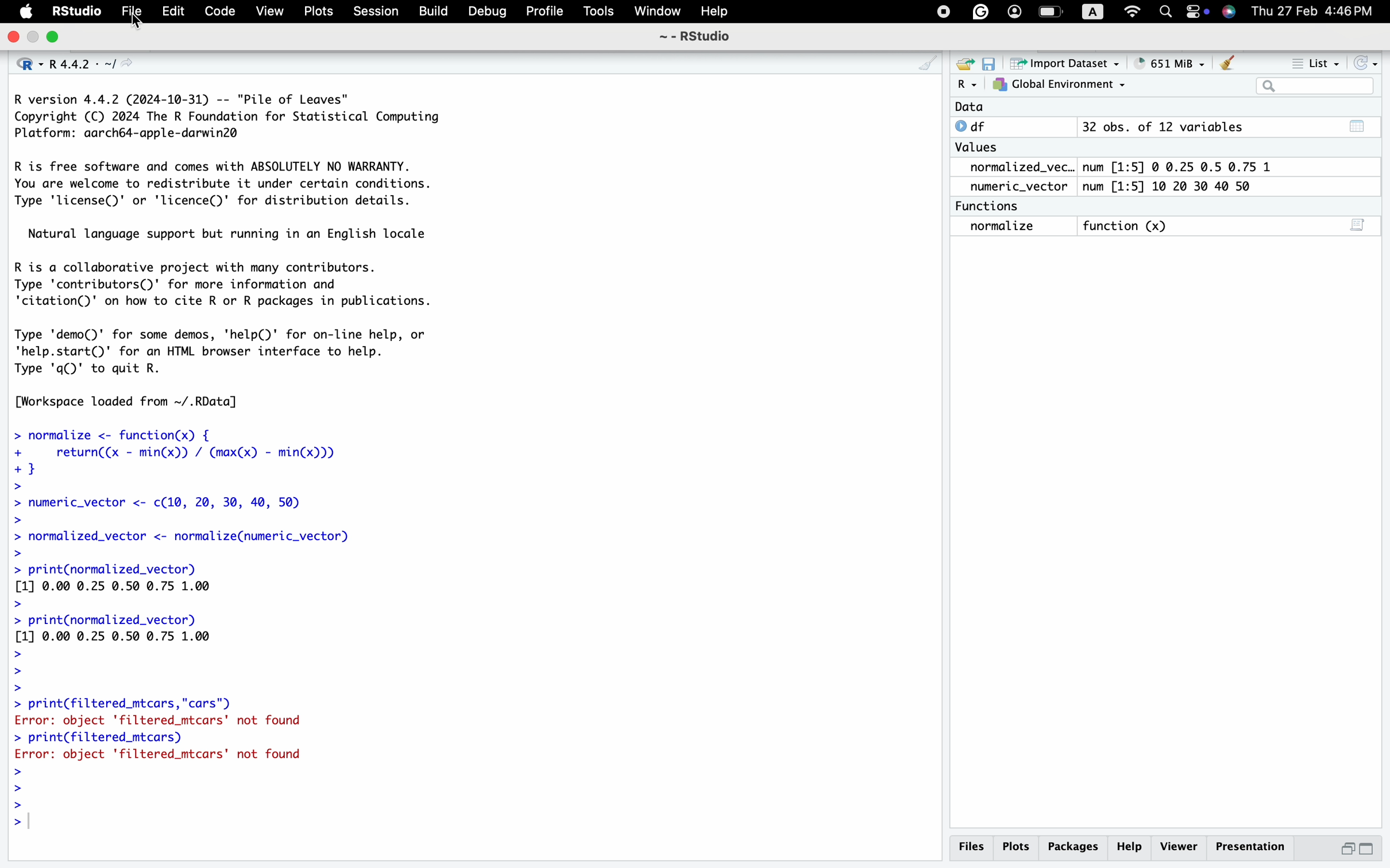  What do you see at coordinates (1128, 187) in the screenshot?
I see `numeric_vector num [1:5] 10 20 30 40 50` at bounding box center [1128, 187].